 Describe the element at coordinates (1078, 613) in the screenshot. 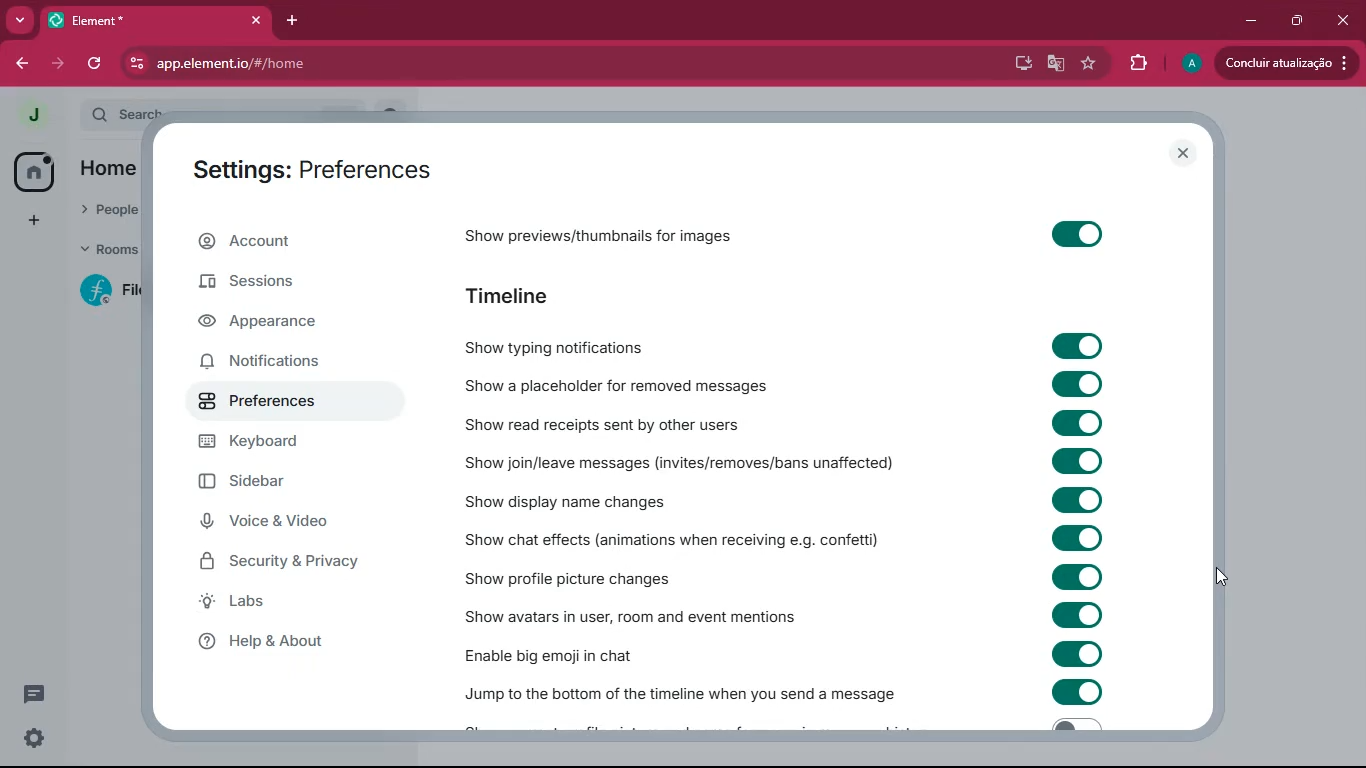

I see `toggle on ` at that location.